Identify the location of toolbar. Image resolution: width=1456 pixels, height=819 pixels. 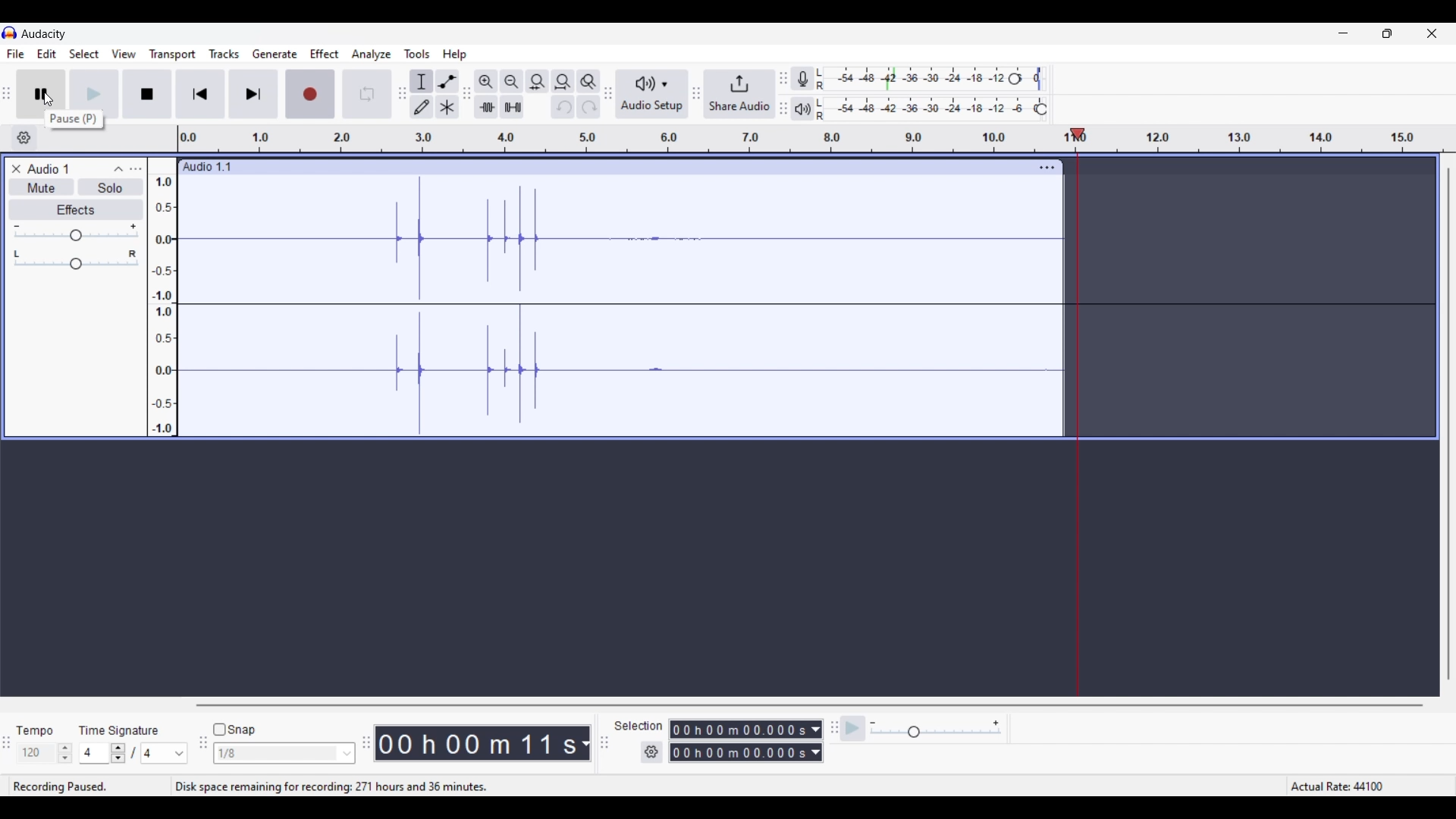
(9, 743).